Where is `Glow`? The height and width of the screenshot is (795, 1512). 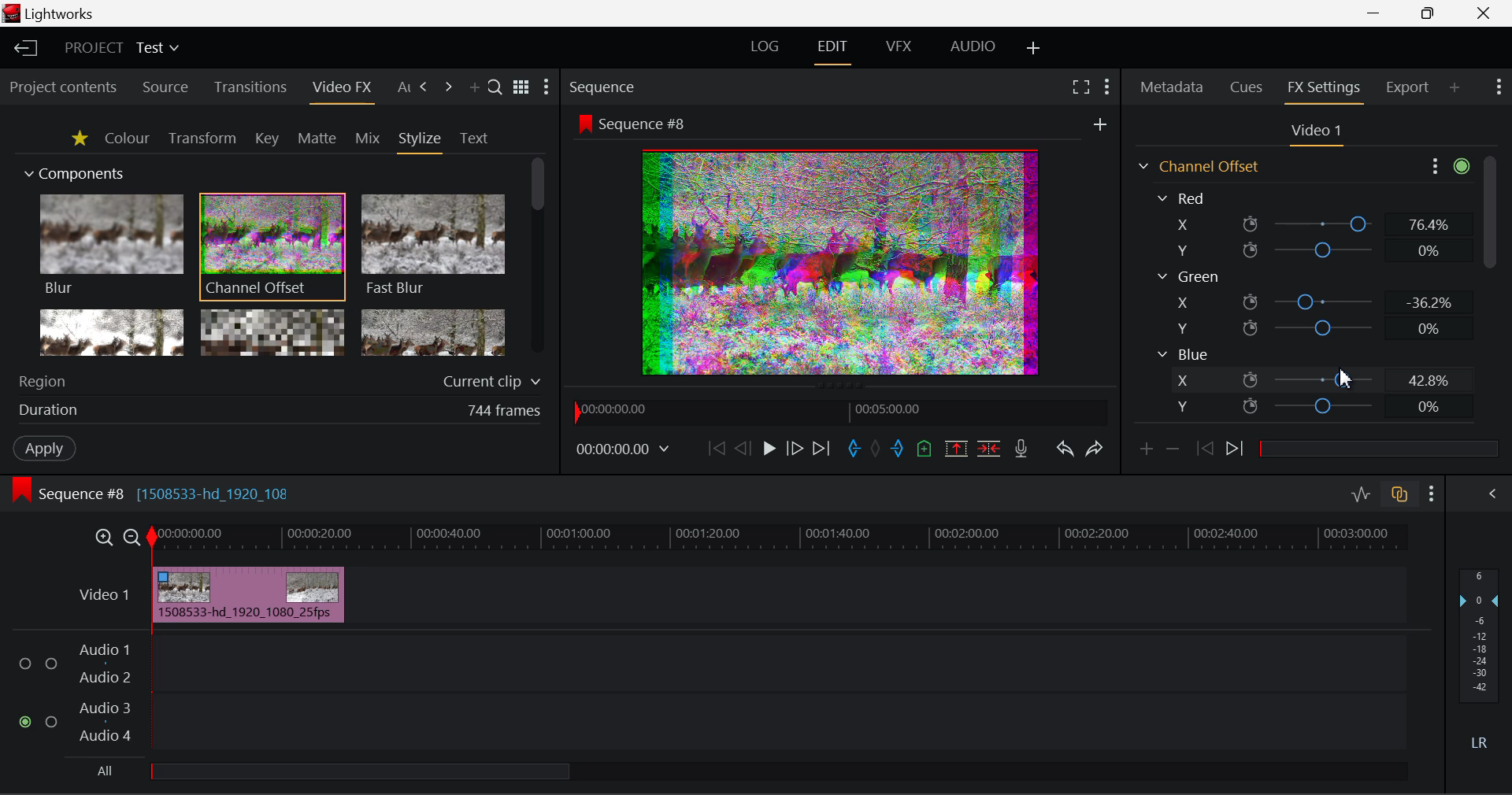
Glow is located at coordinates (109, 331).